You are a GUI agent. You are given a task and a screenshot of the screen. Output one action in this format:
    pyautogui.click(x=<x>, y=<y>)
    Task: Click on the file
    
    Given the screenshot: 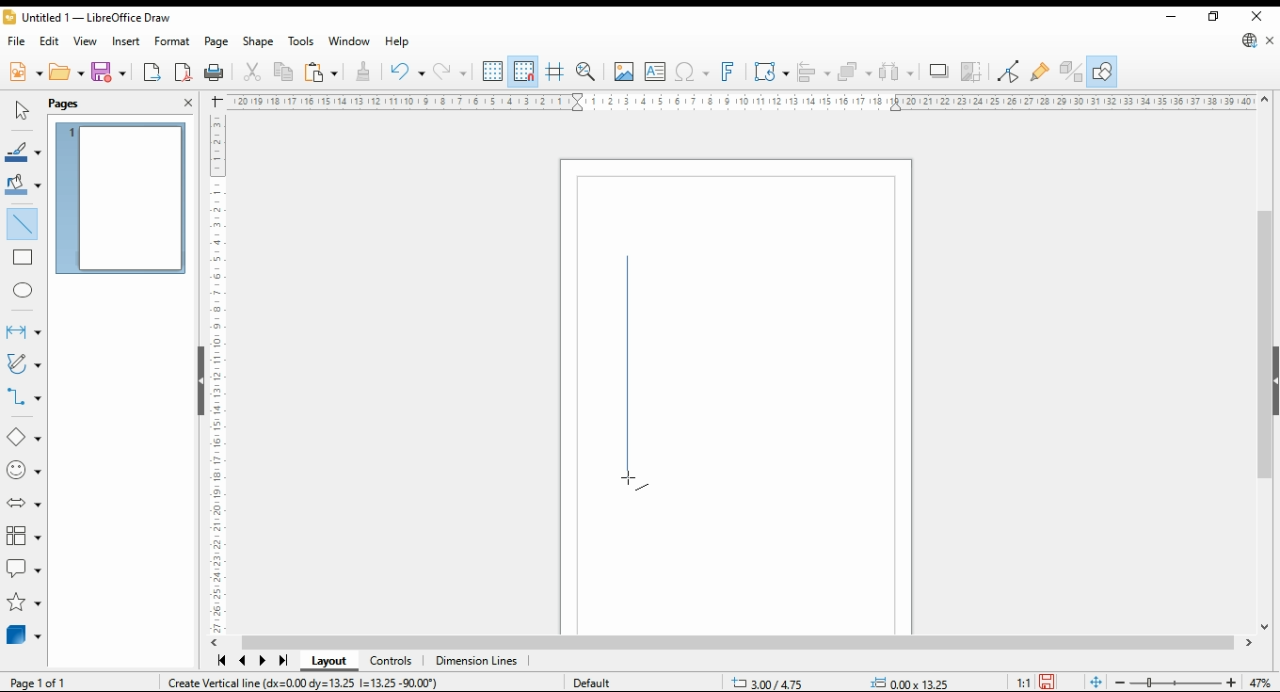 What is the action you would take?
    pyautogui.click(x=18, y=41)
    